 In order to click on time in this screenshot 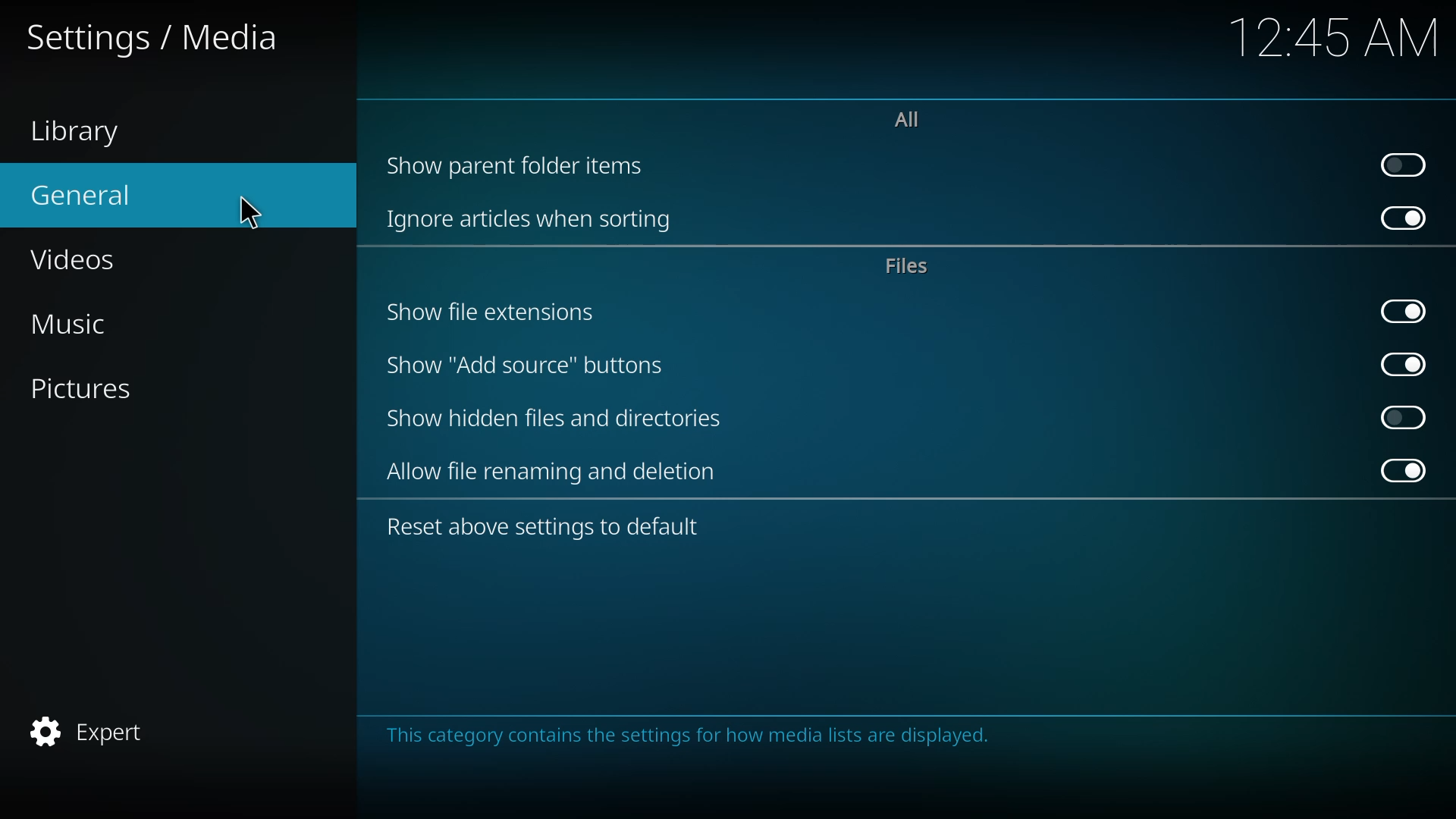, I will do `click(1336, 35)`.